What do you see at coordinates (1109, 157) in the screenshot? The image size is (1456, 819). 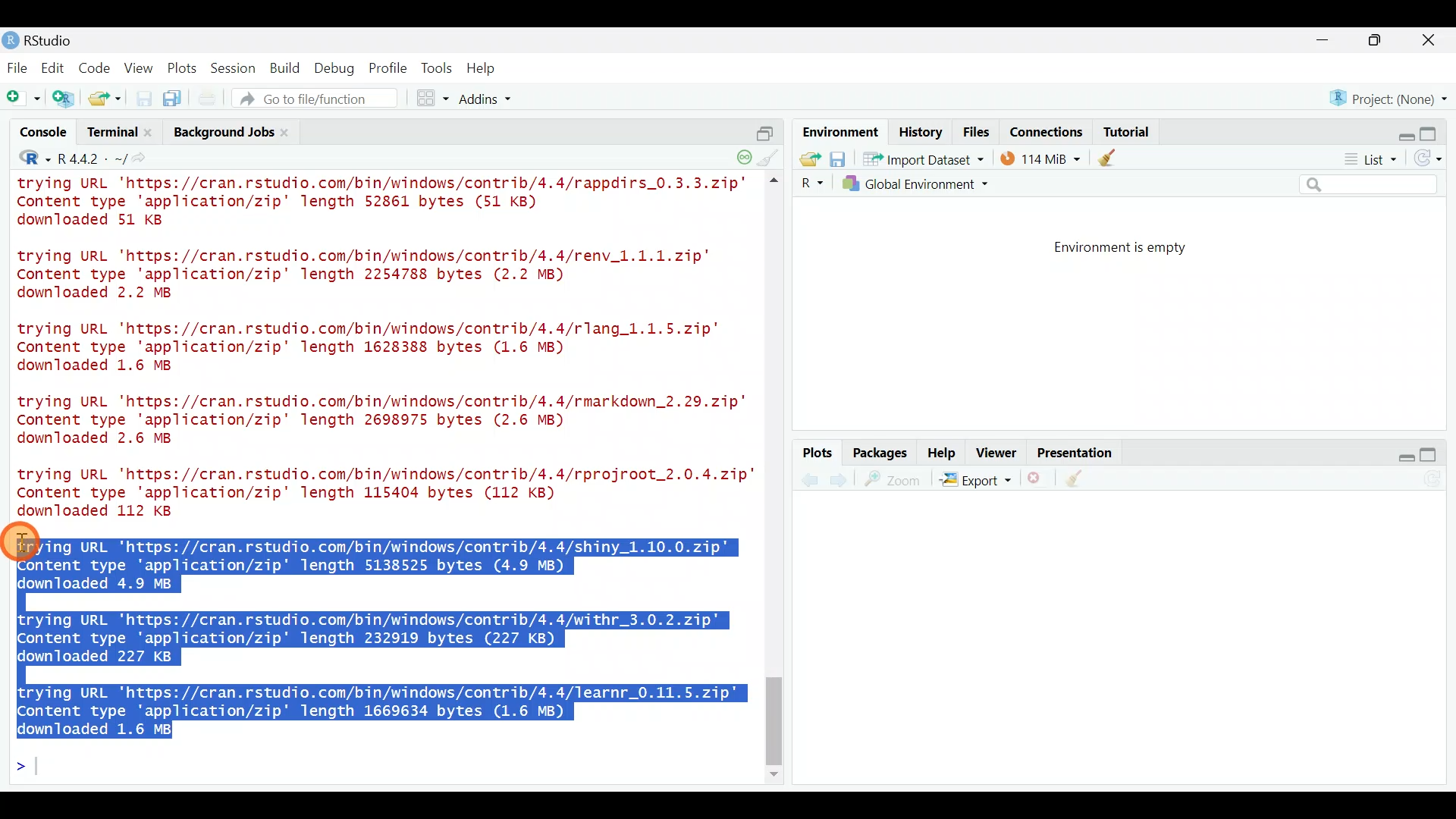 I see `clear objects from the workspace` at bounding box center [1109, 157].